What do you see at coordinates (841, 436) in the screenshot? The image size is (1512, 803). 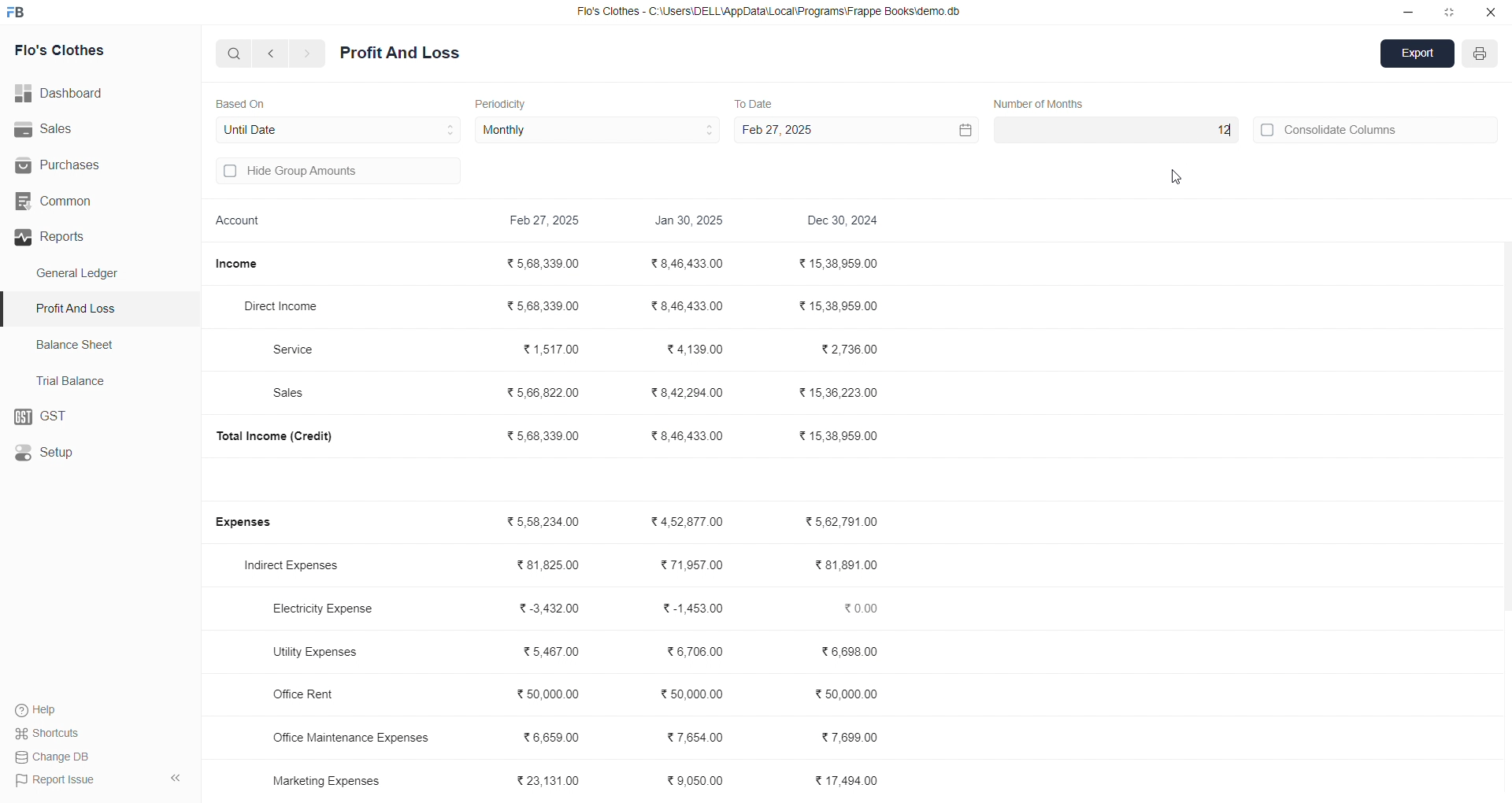 I see `₹15,38,959.00` at bounding box center [841, 436].